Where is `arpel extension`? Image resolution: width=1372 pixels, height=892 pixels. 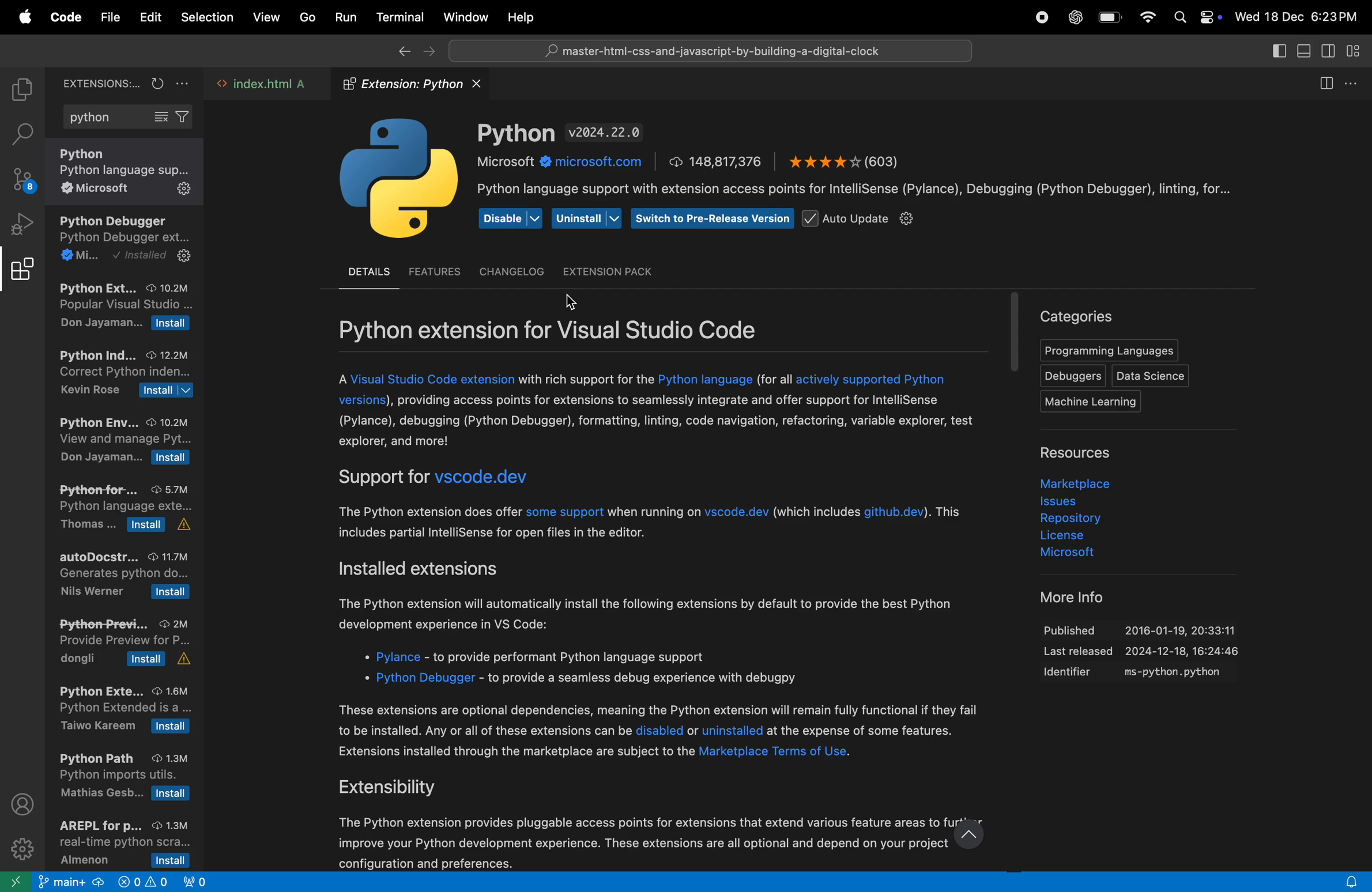 arpel extension is located at coordinates (119, 842).